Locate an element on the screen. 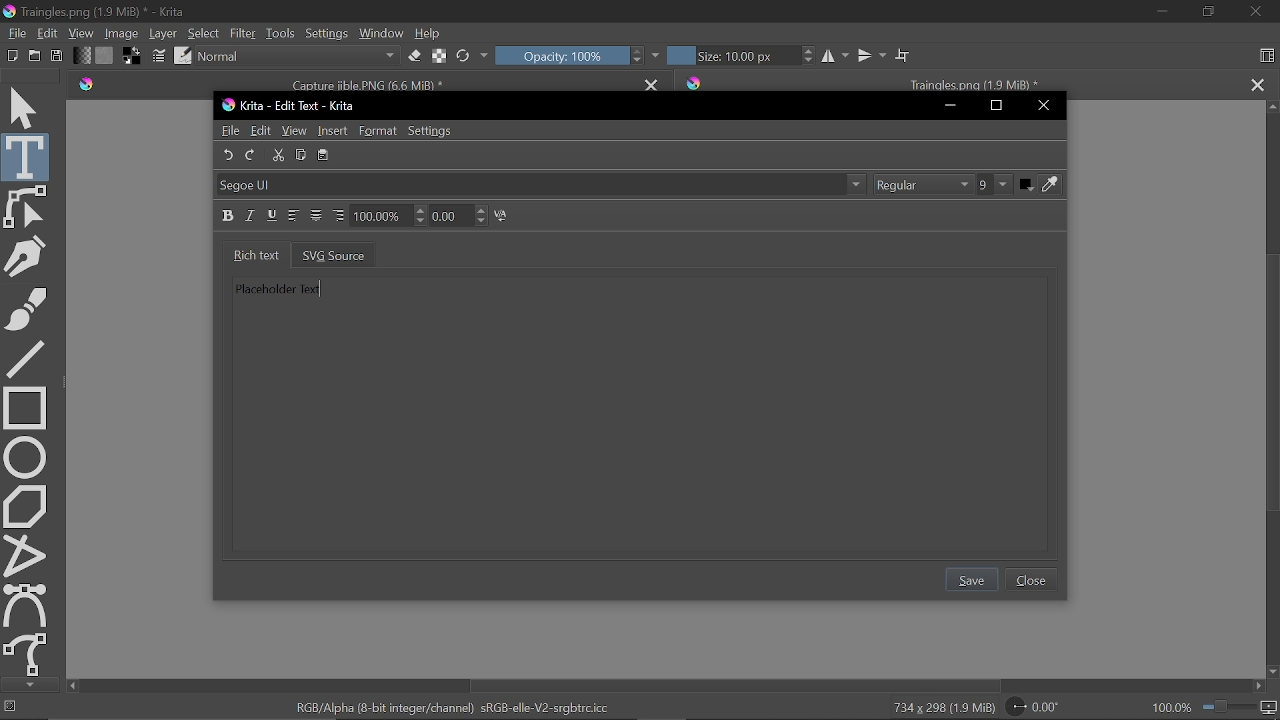 The width and height of the screenshot is (1280, 720). Horizontal mirror is located at coordinates (833, 56).